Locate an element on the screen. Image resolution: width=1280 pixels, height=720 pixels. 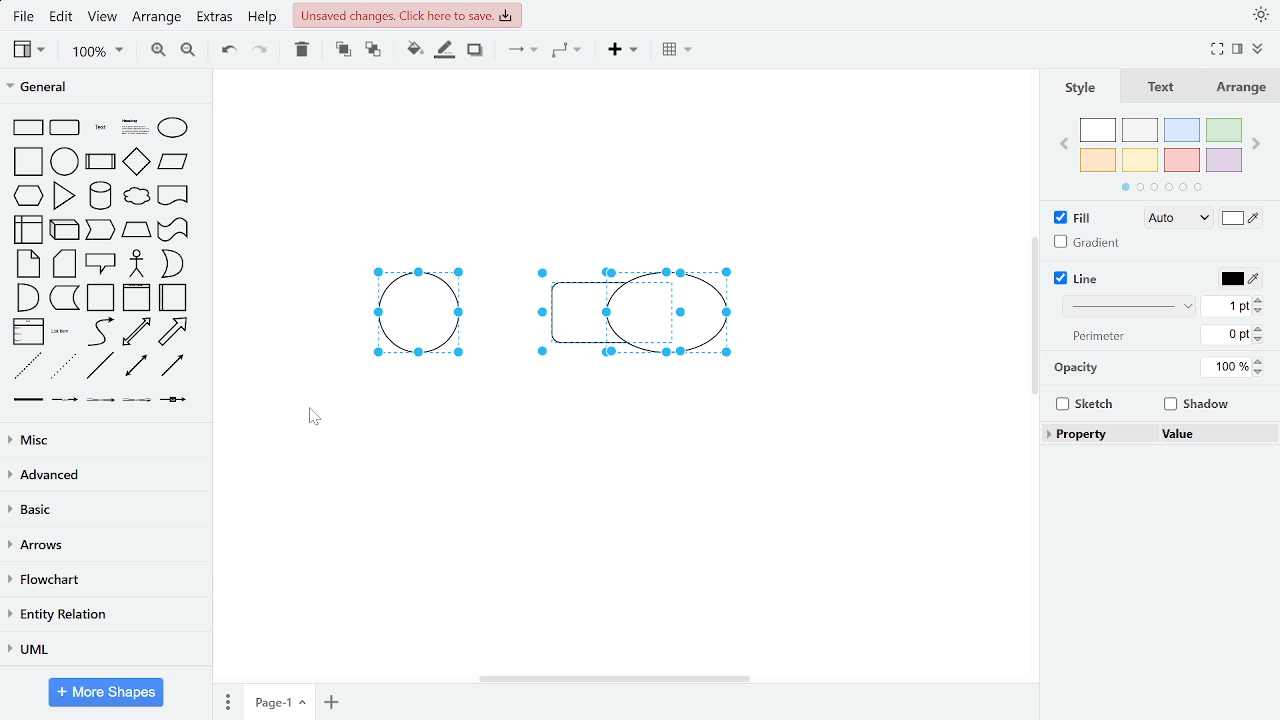
list item is located at coordinates (62, 332).